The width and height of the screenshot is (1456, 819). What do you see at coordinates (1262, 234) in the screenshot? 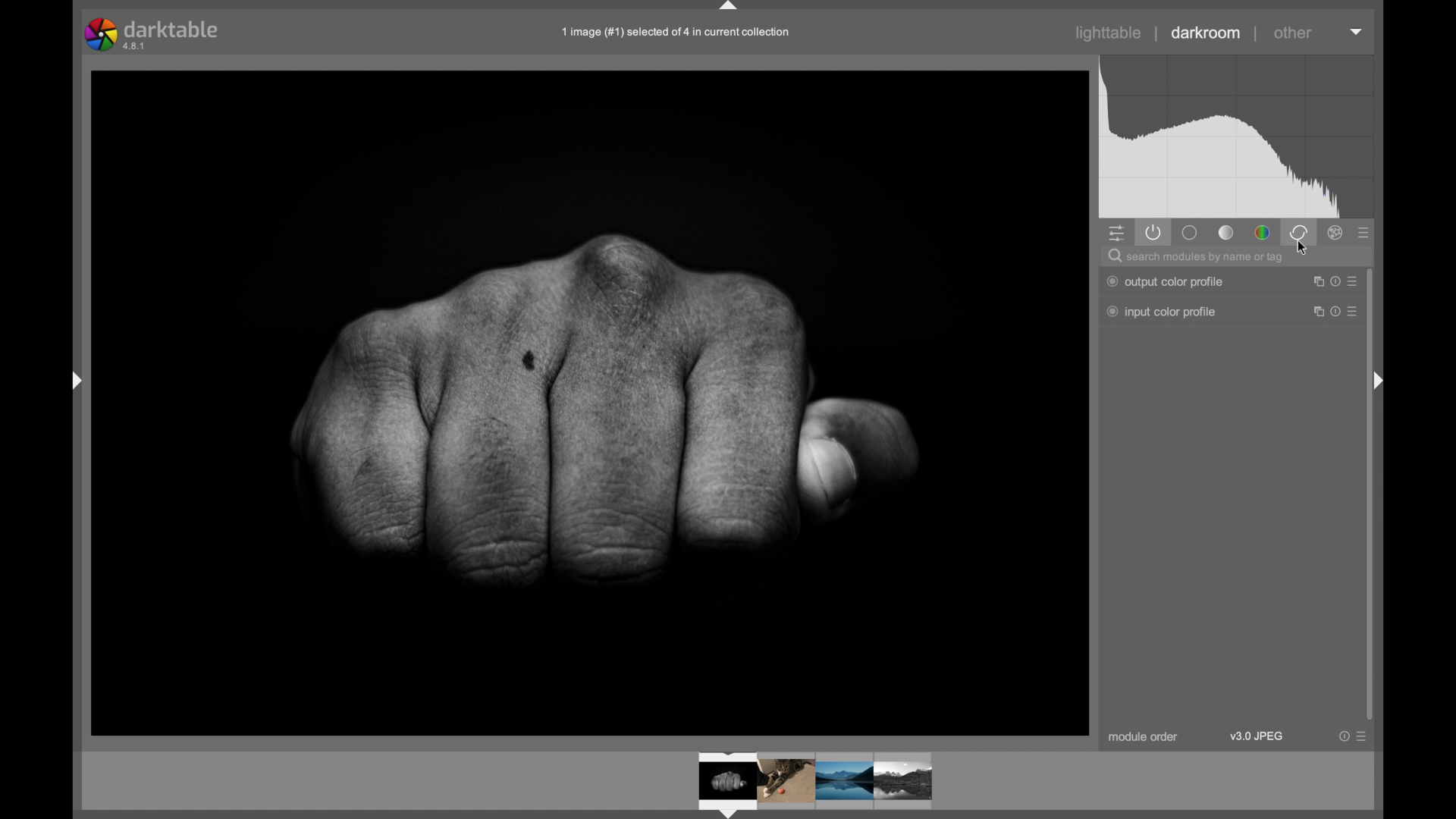
I see `color` at bounding box center [1262, 234].